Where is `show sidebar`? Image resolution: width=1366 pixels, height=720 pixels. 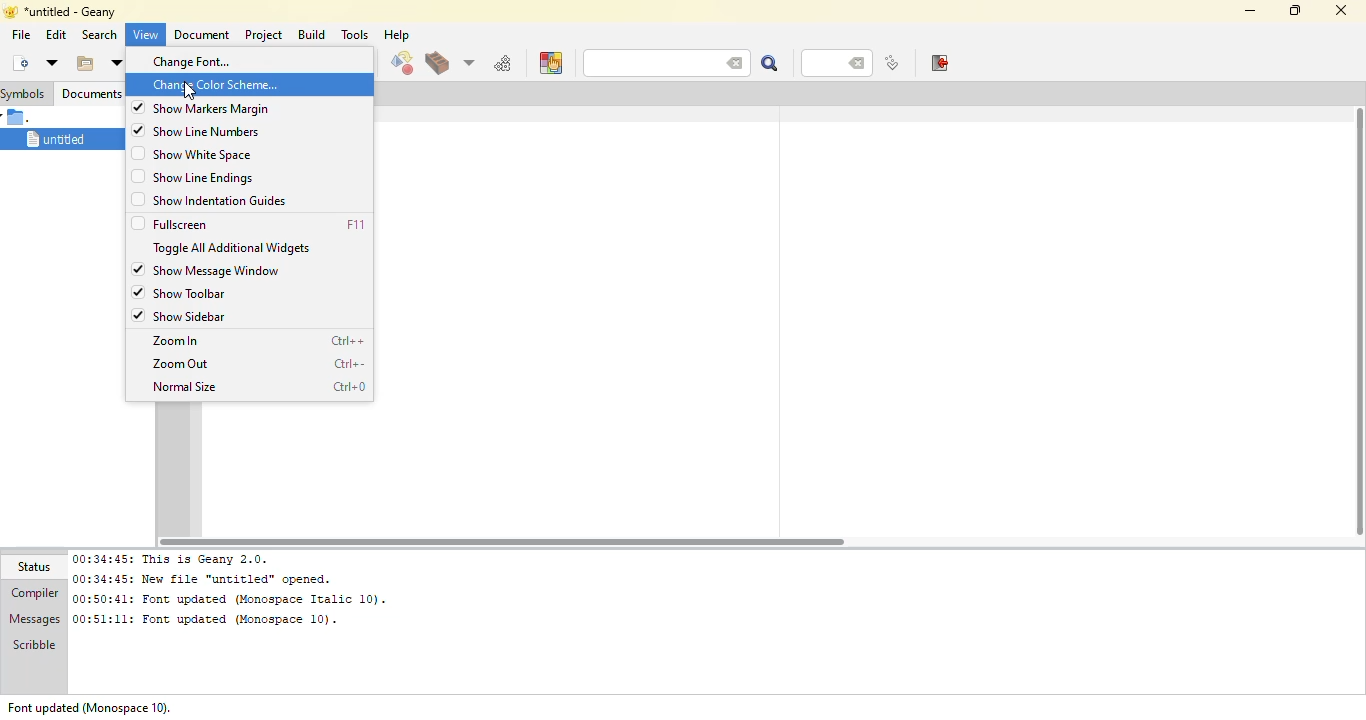 show sidebar is located at coordinates (193, 316).